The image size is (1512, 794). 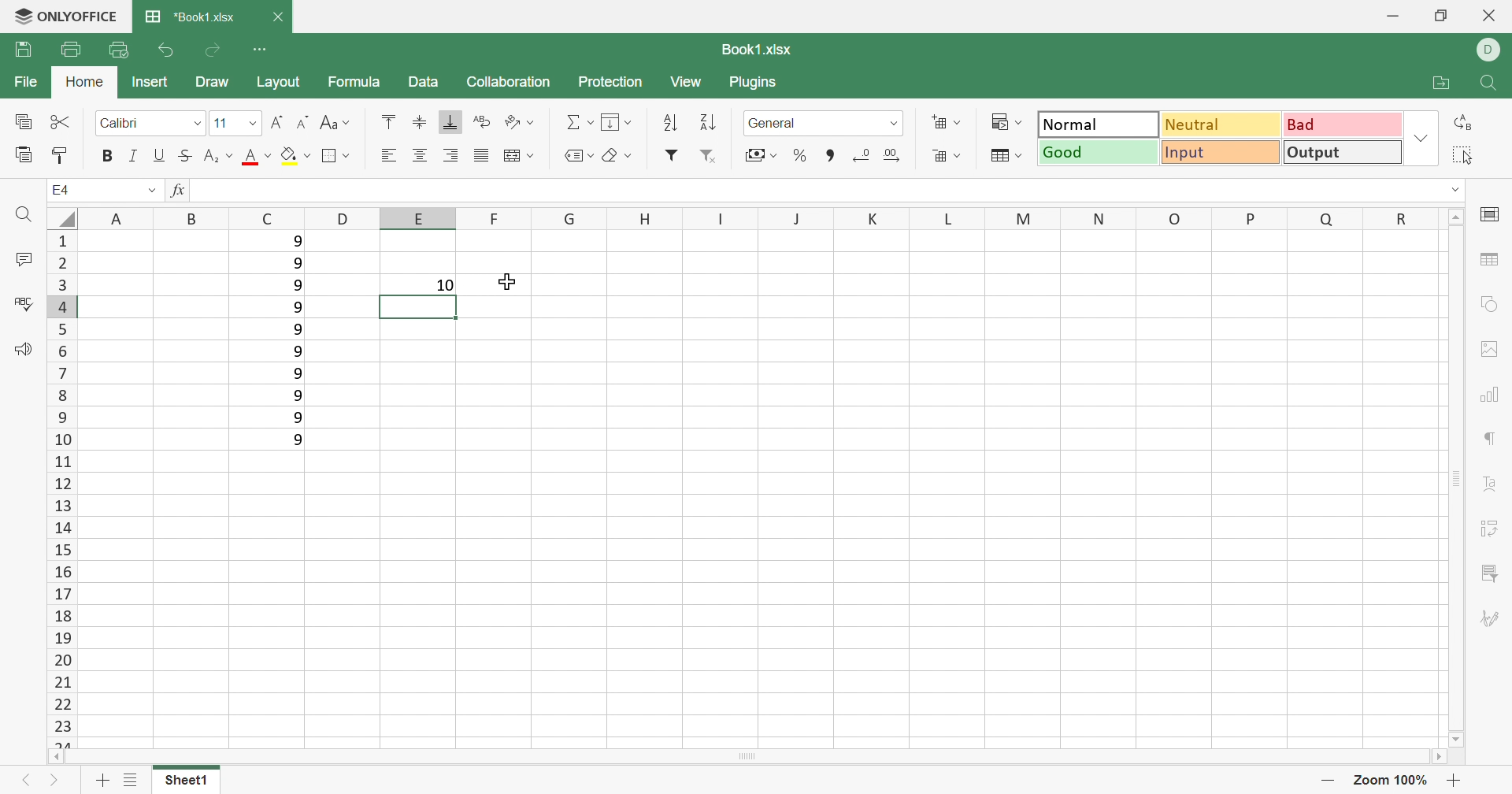 I want to click on Named Ranges, so click(x=575, y=157).